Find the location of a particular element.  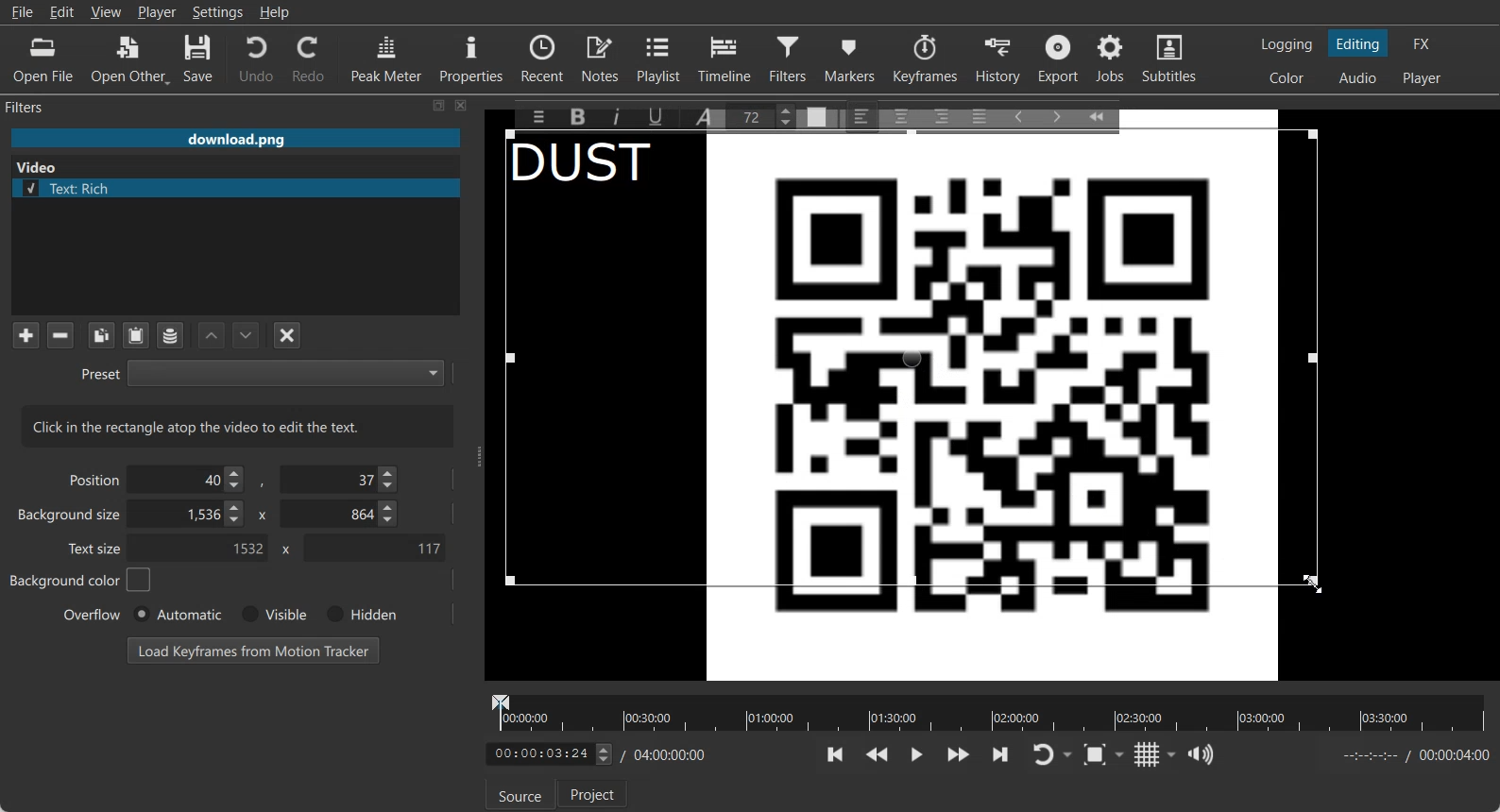

Text is located at coordinates (594, 166).